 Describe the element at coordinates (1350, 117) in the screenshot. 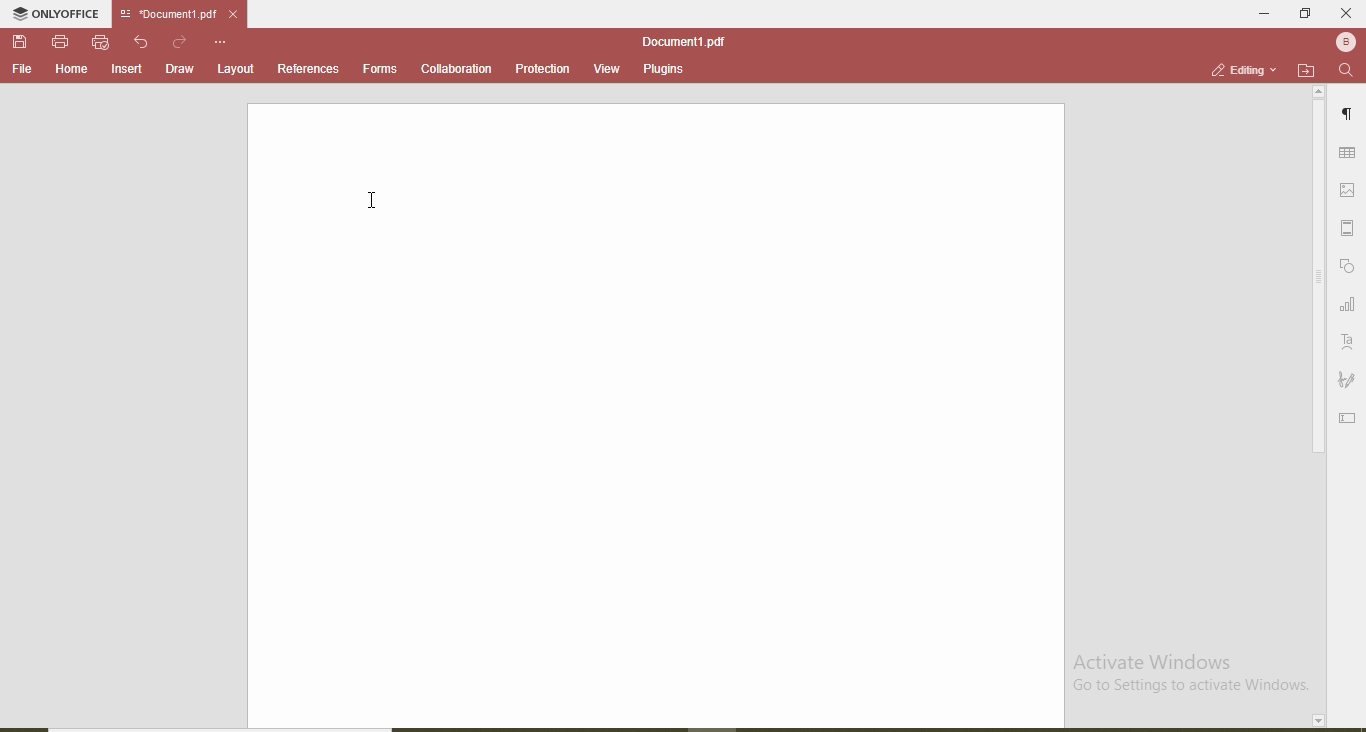

I see `paragraph` at that location.